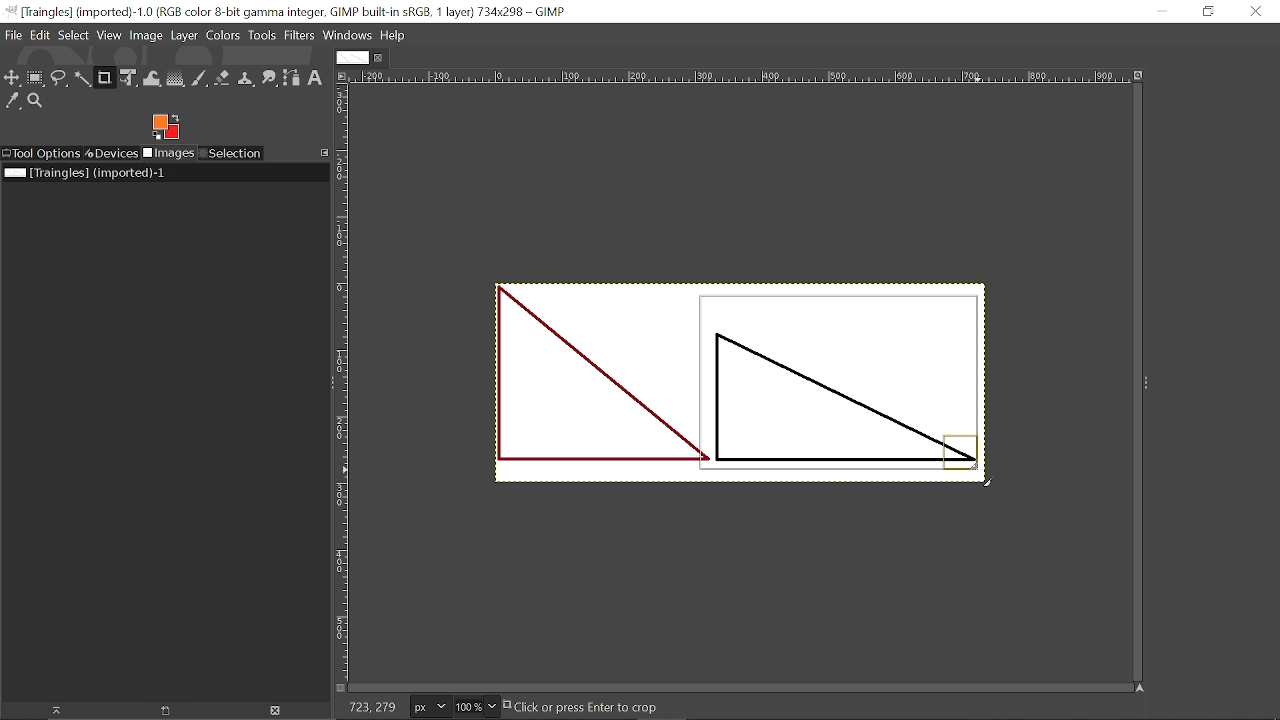 The image size is (1280, 720). What do you see at coordinates (427, 706) in the screenshot?
I see `Current image format` at bounding box center [427, 706].